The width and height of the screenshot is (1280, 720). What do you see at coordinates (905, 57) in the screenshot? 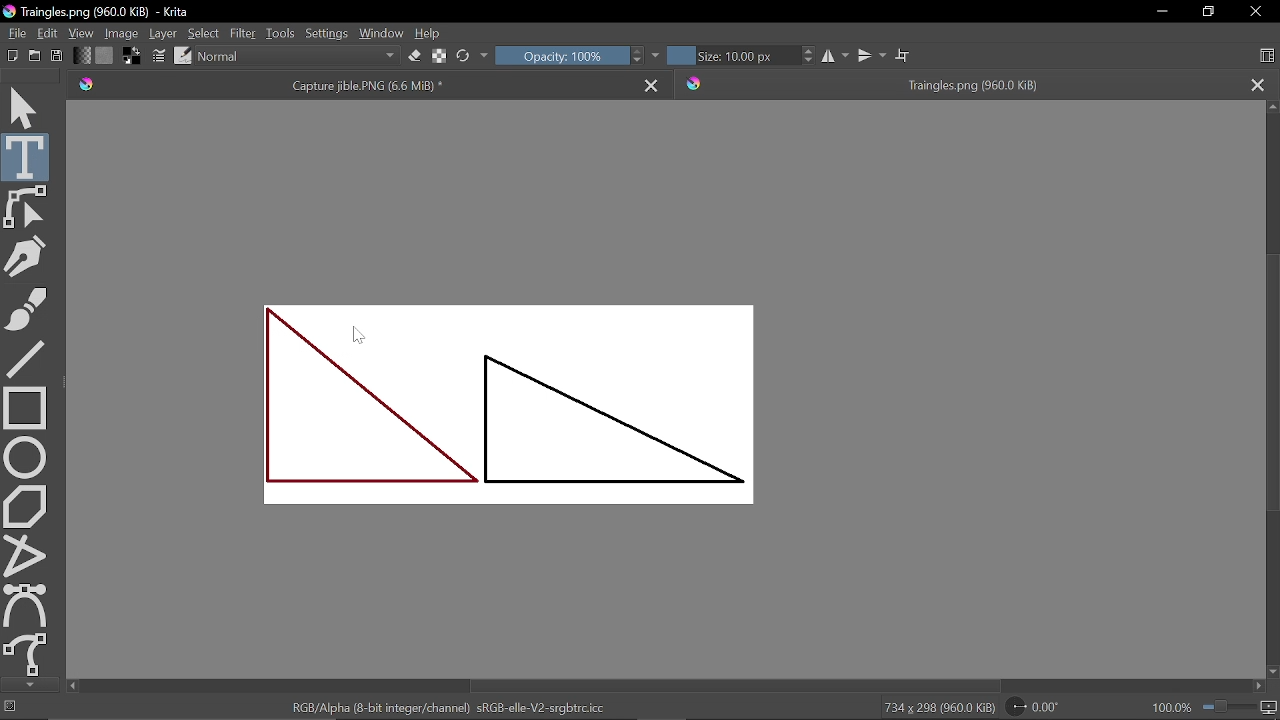
I see `Wrap around mode` at bounding box center [905, 57].